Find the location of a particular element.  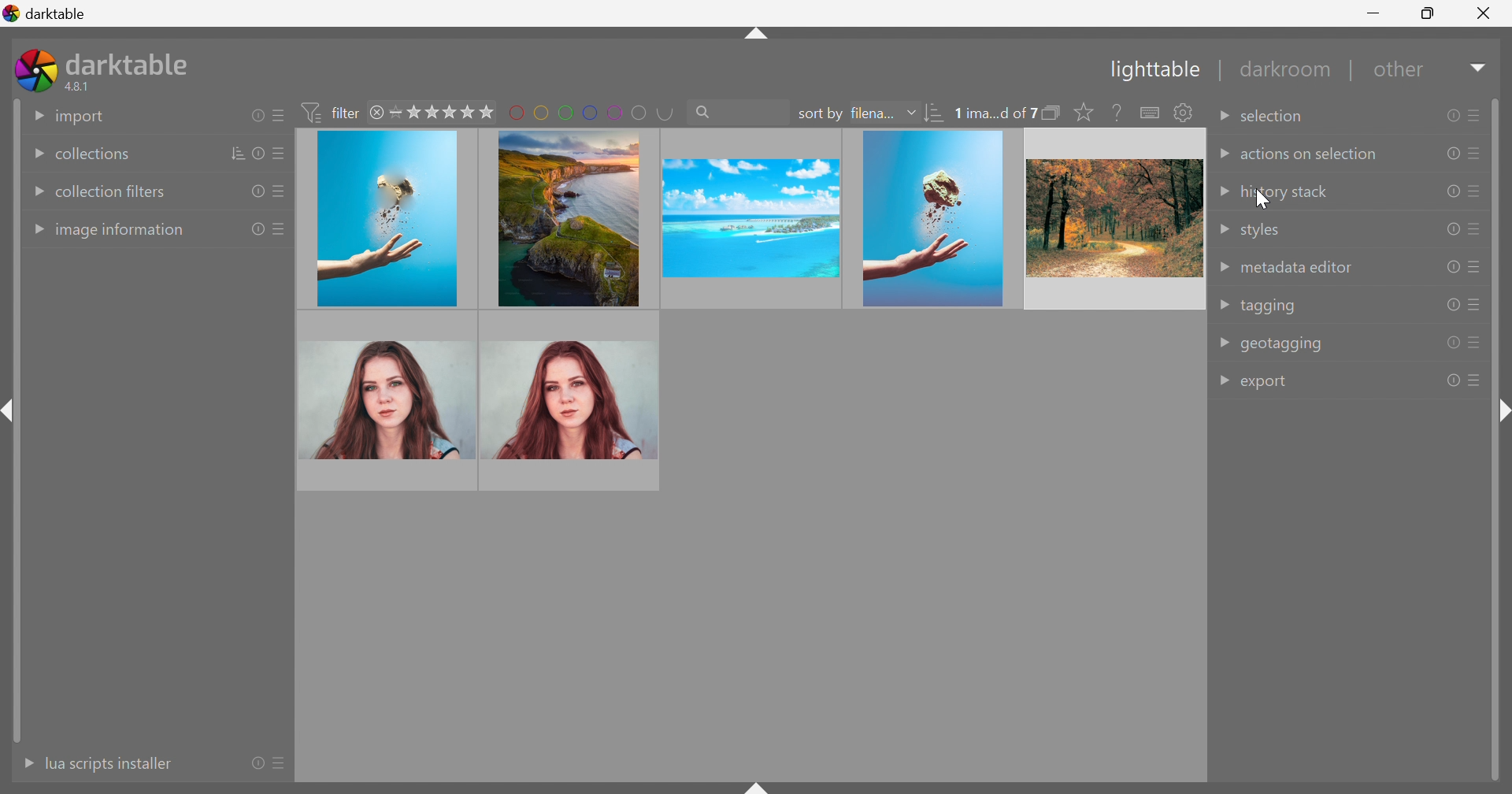

shift+ctrl+t is located at coordinates (754, 36).